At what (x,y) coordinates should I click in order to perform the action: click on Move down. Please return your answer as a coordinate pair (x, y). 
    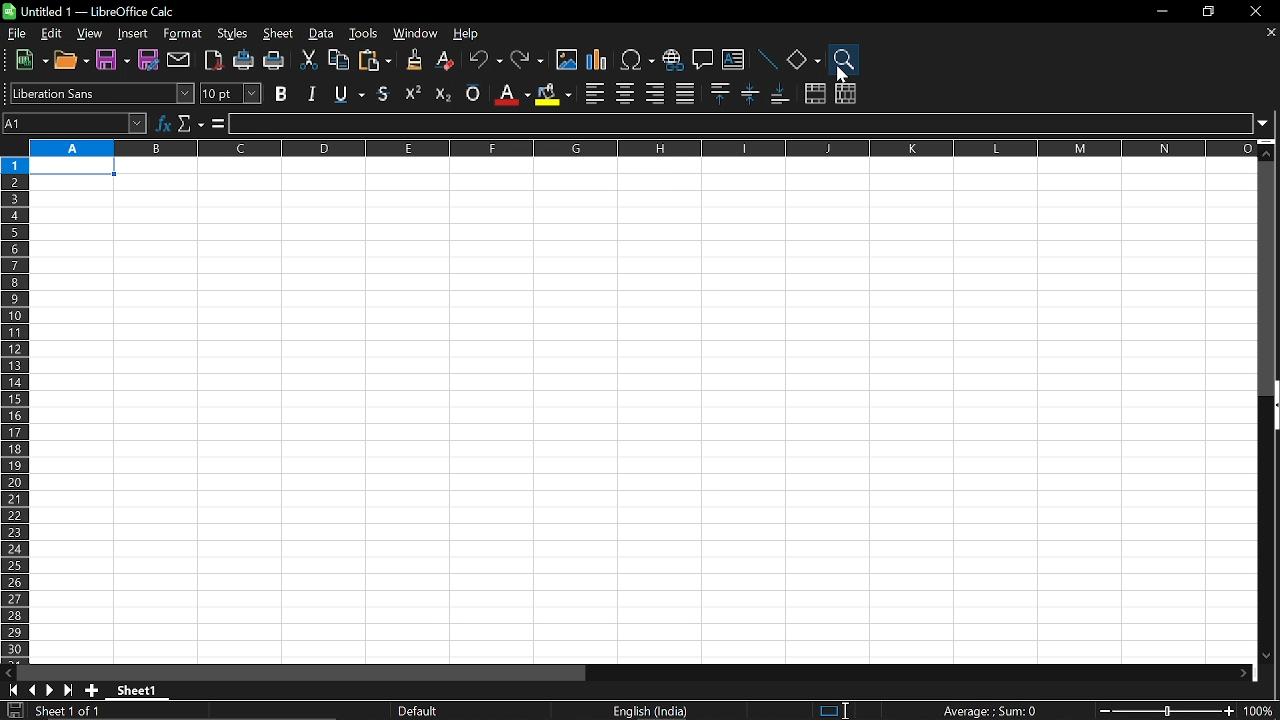
    Looking at the image, I should click on (1265, 654).